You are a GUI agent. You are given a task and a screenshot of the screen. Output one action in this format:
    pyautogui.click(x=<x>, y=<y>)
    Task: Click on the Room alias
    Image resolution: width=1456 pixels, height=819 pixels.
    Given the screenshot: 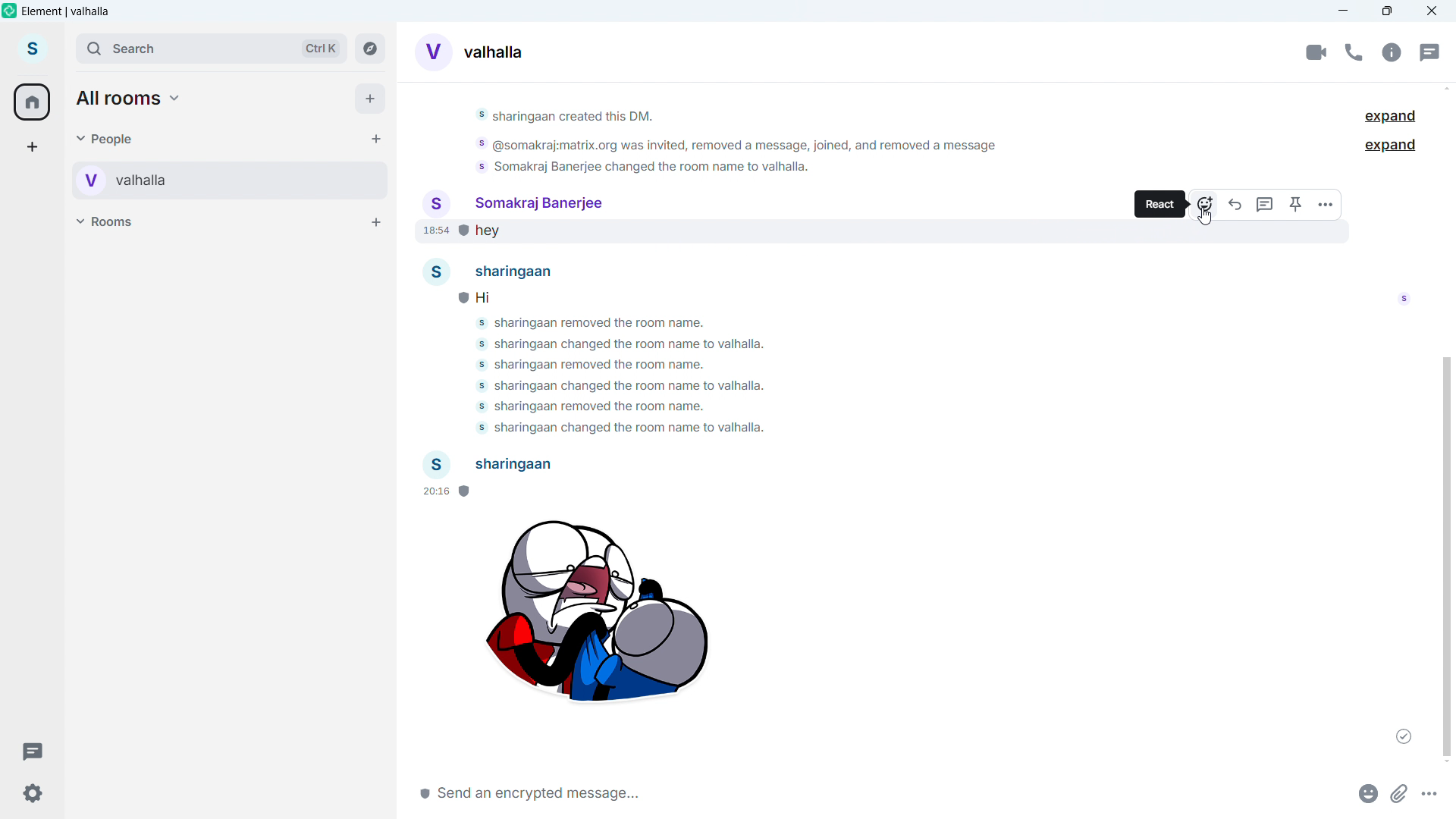 What is the action you would take?
    pyautogui.click(x=494, y=52)
    